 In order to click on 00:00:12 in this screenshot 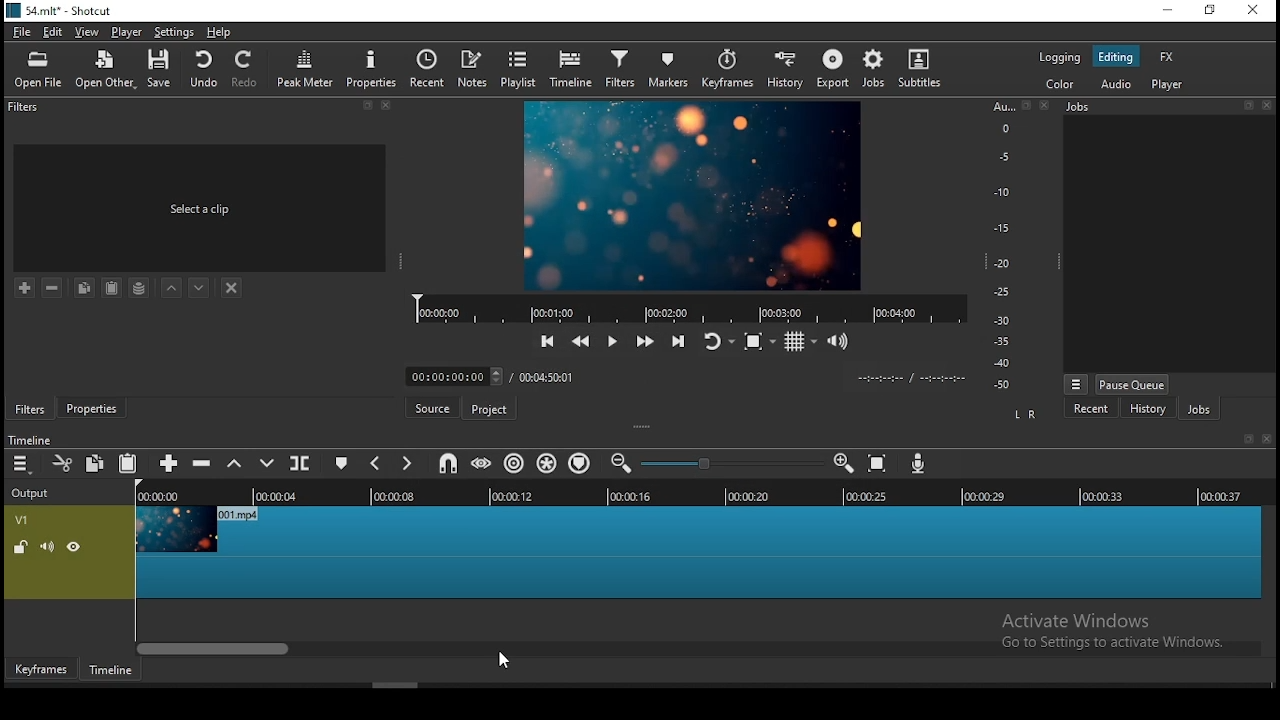, I will do `click(515, 496)`.